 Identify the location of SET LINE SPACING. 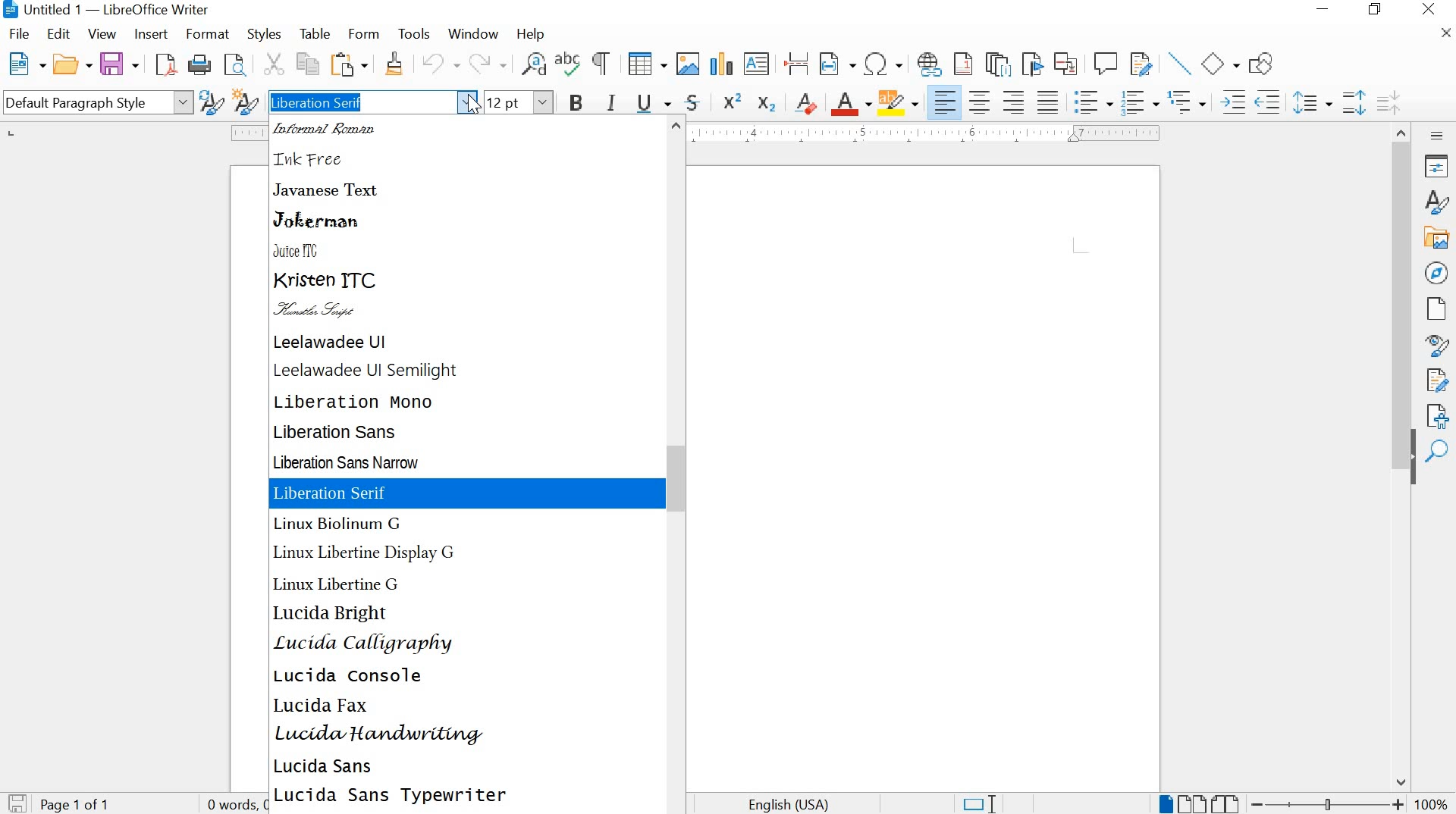
(1311, 102).